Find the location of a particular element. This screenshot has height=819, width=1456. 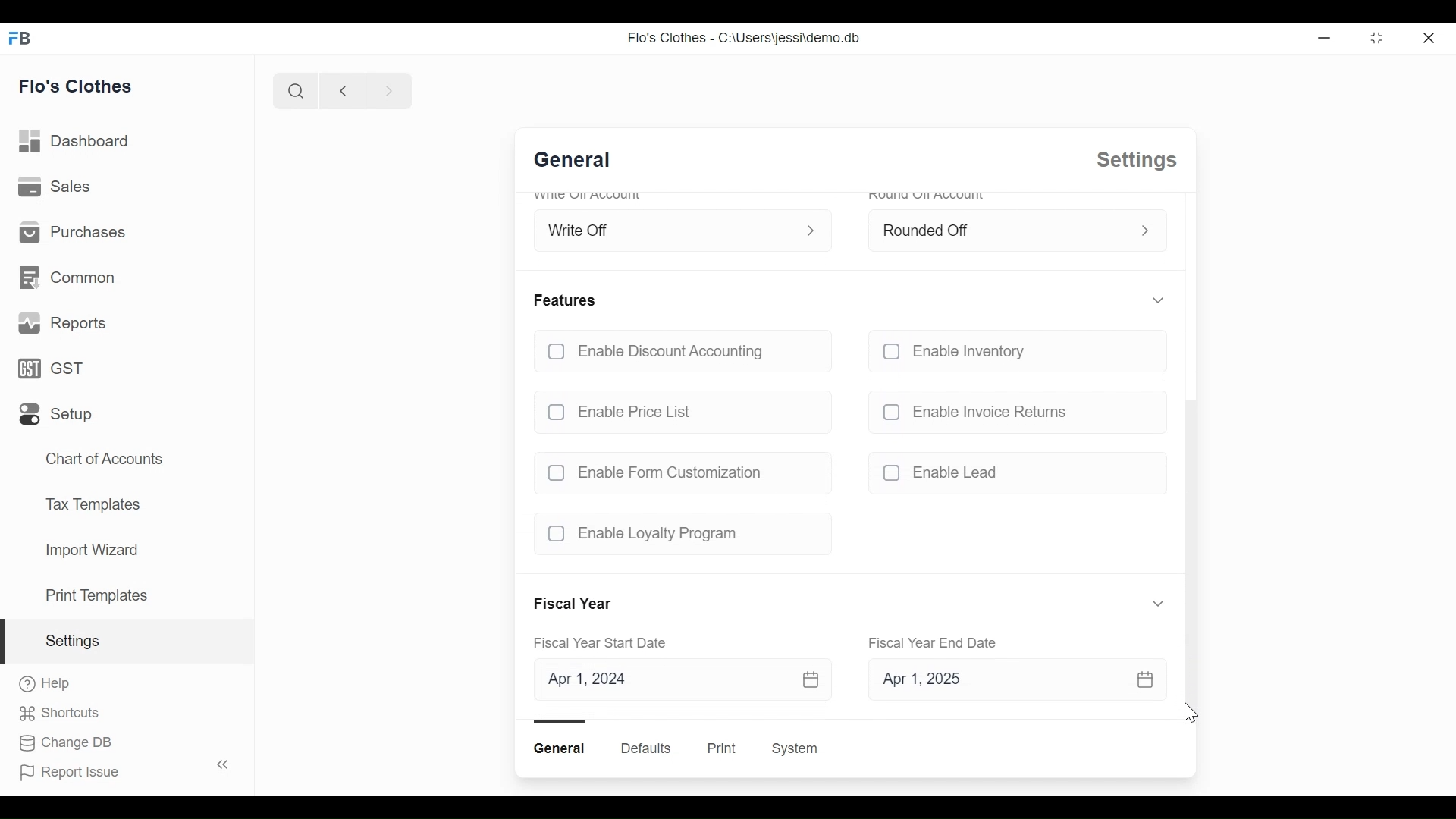

Defaults is located at coordinates (646, 748).